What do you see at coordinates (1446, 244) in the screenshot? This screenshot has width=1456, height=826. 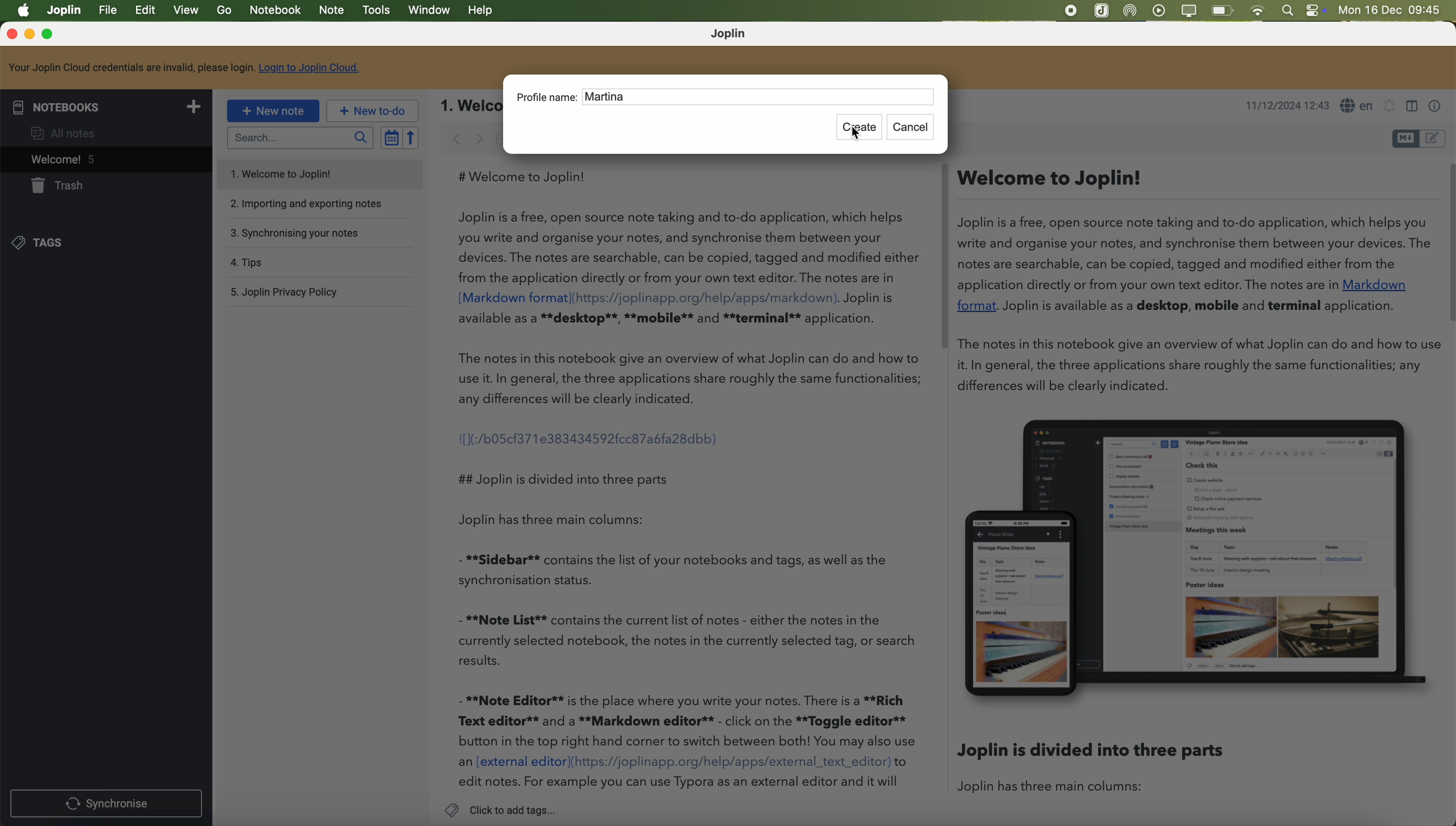 I see `scroll bar` at bounding box center [1446, 244].